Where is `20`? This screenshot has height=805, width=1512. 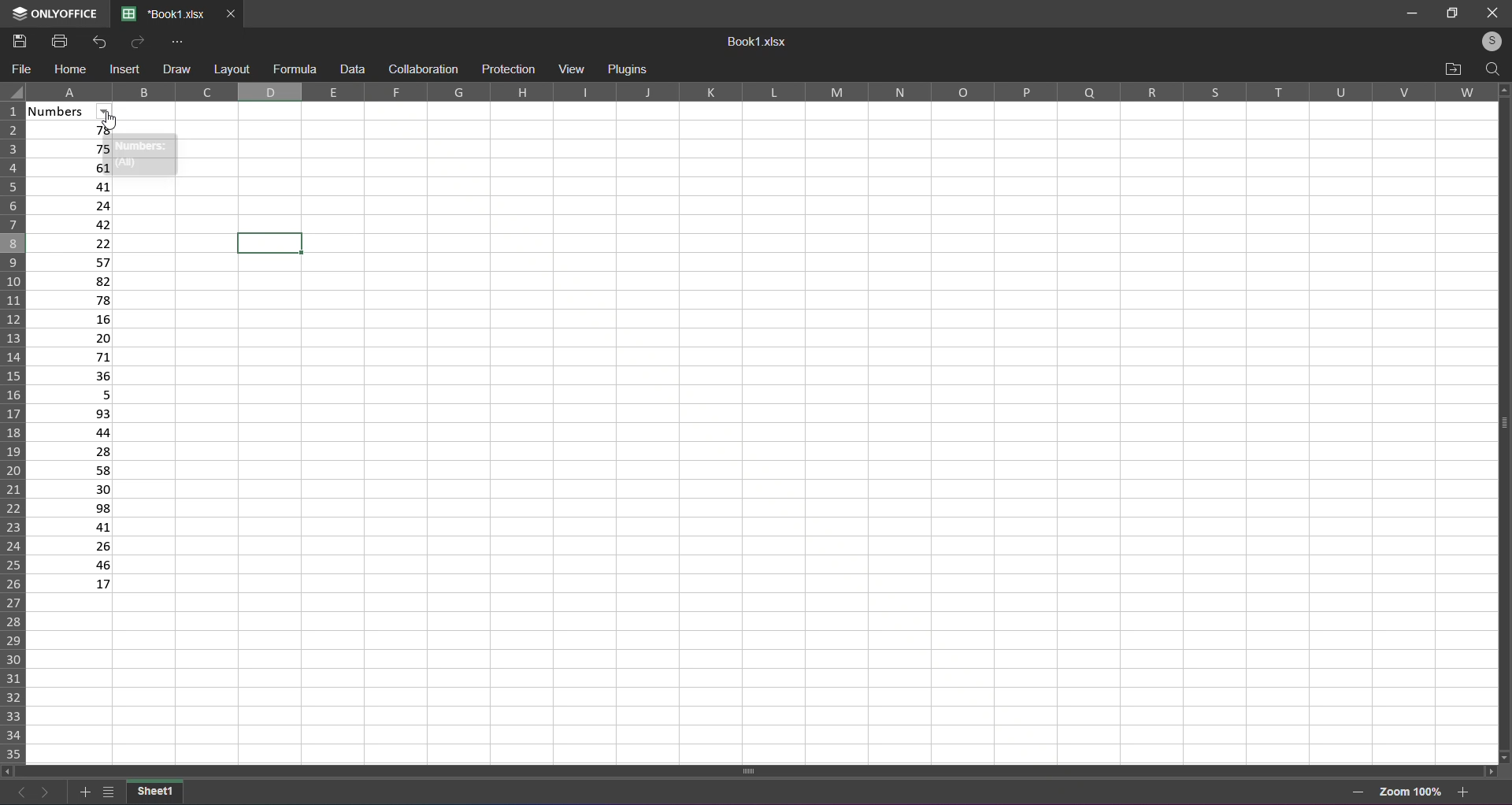
20 is located at coordinates (72, 339).